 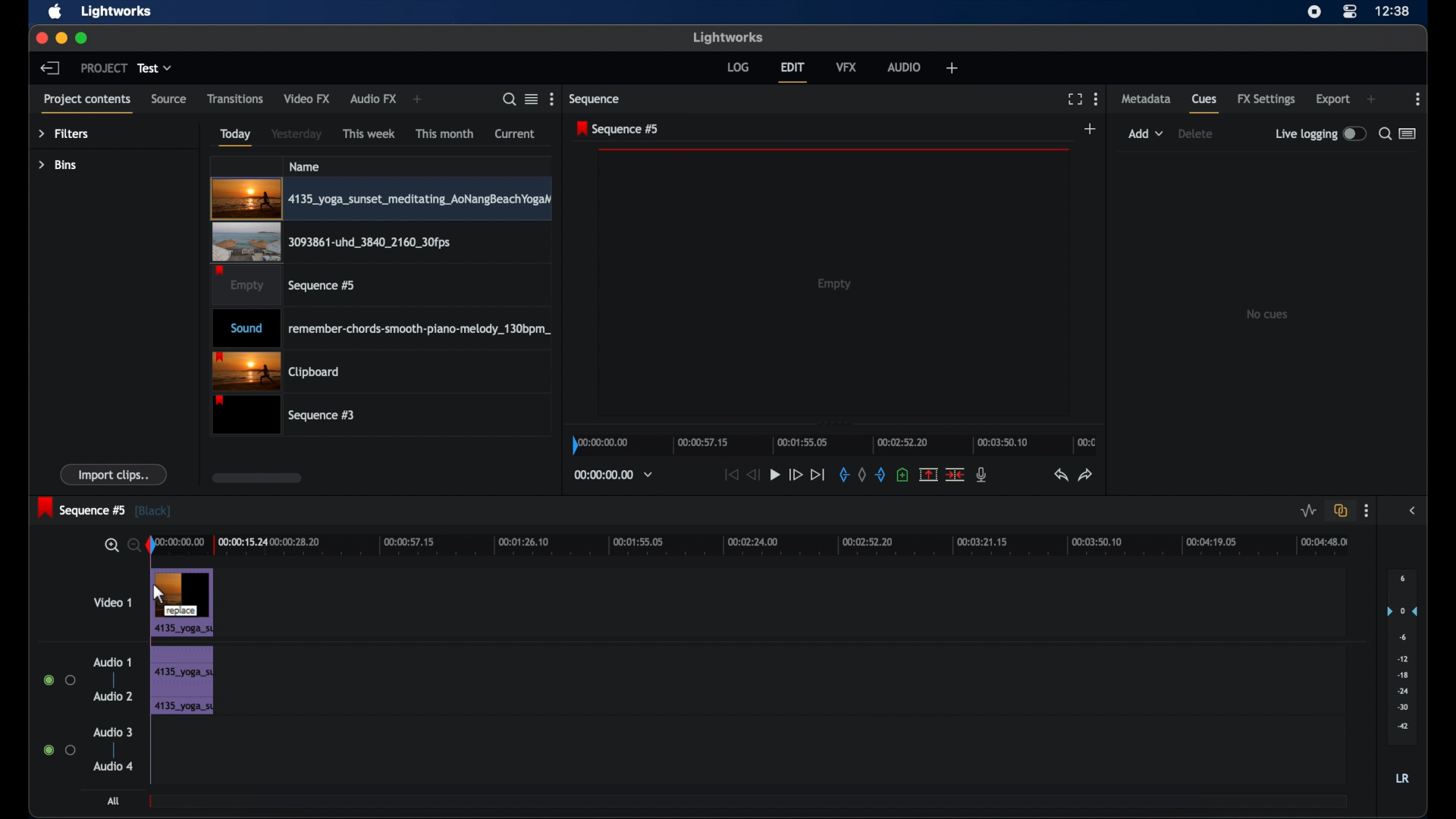 What do you see at coordinates (775, 475) in the screenshot?
I see `play button` at bounding box center [775, 475].